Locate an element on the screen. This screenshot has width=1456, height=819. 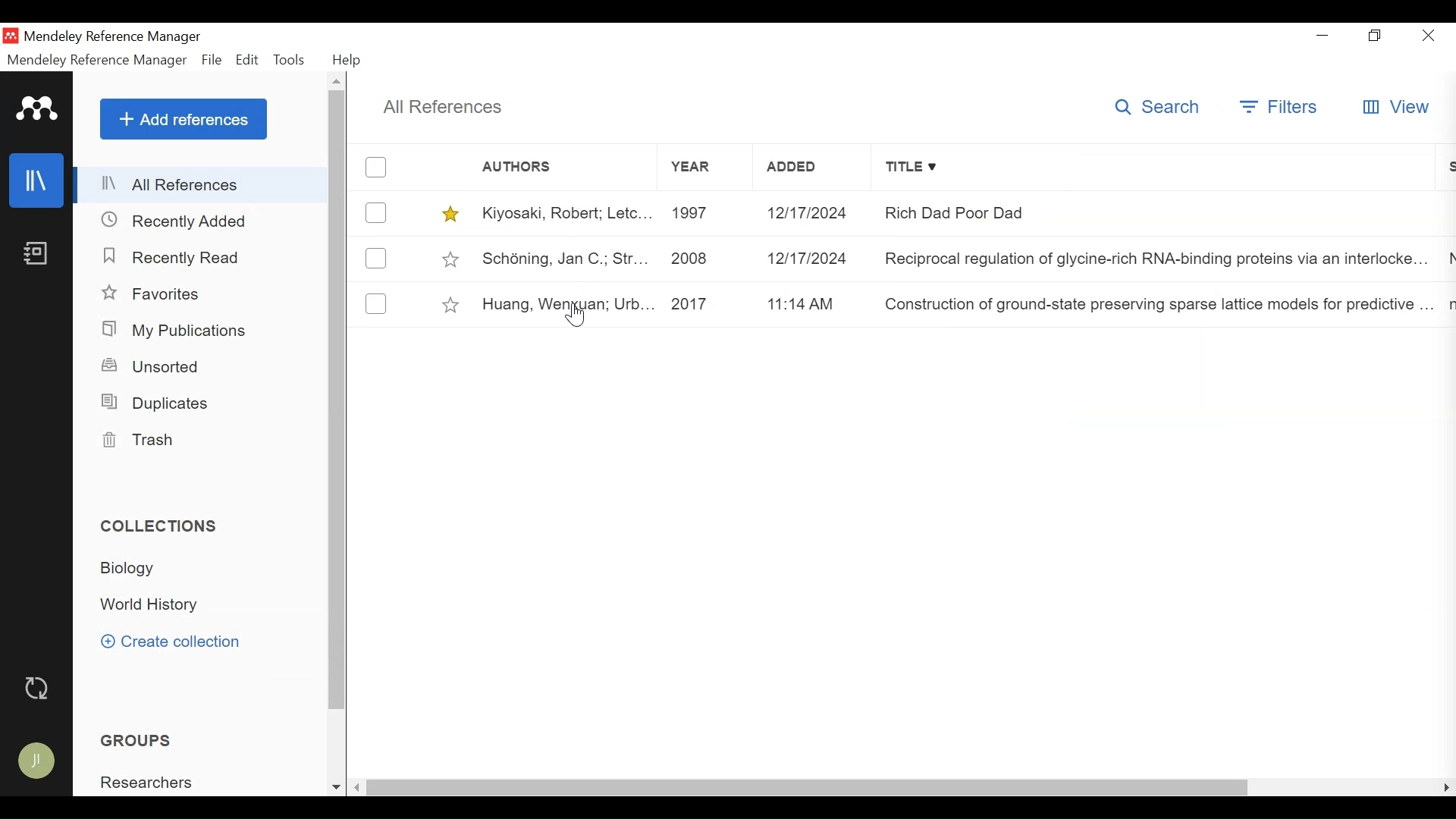
Horizontal Scroll bar is located at coordinates (807, 787).